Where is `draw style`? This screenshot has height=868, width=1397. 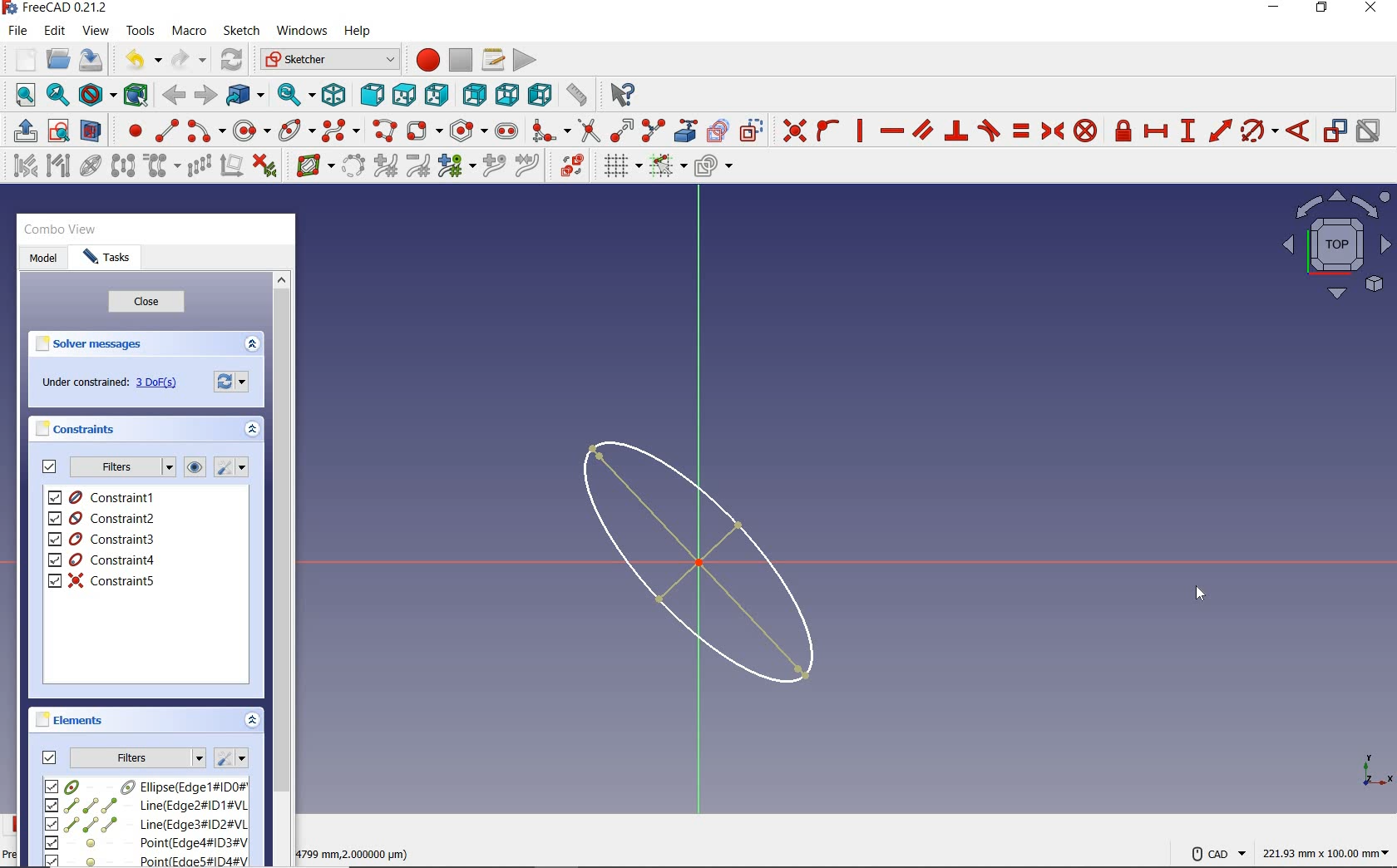
draw style is located at coordinates (97, 94).